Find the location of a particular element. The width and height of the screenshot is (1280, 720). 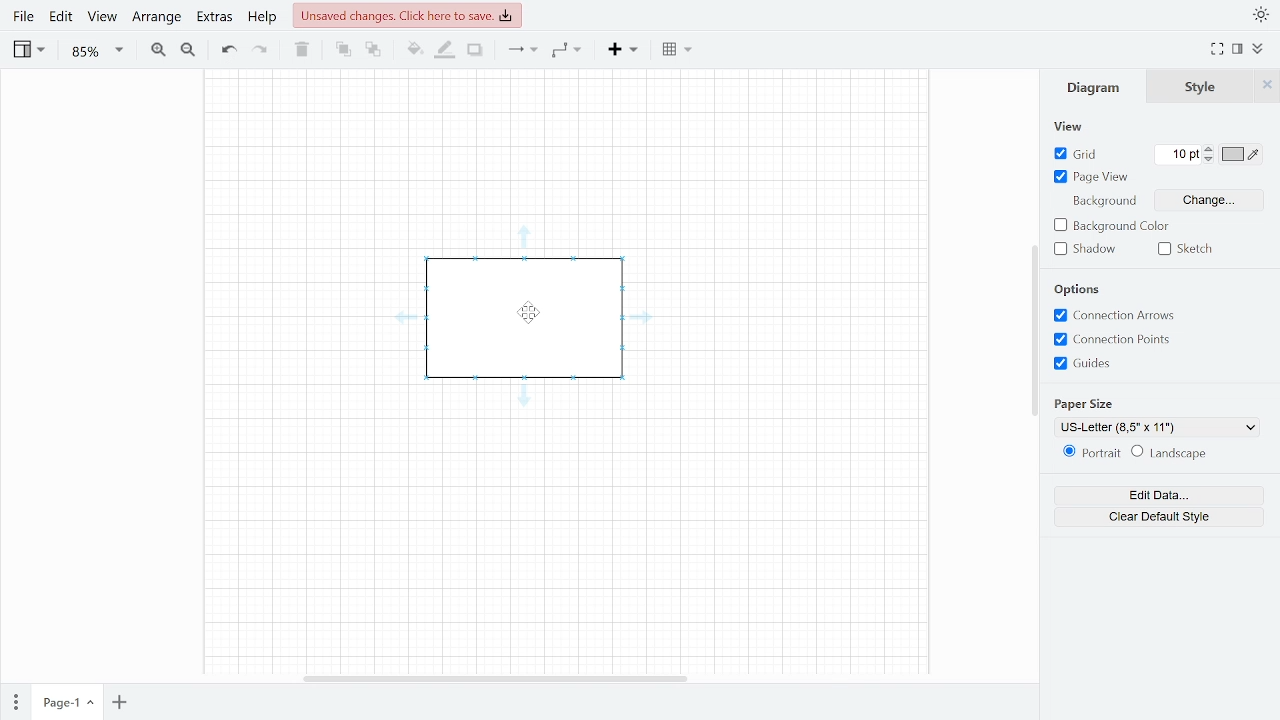

Background color is located at coordinates (1125, 227).